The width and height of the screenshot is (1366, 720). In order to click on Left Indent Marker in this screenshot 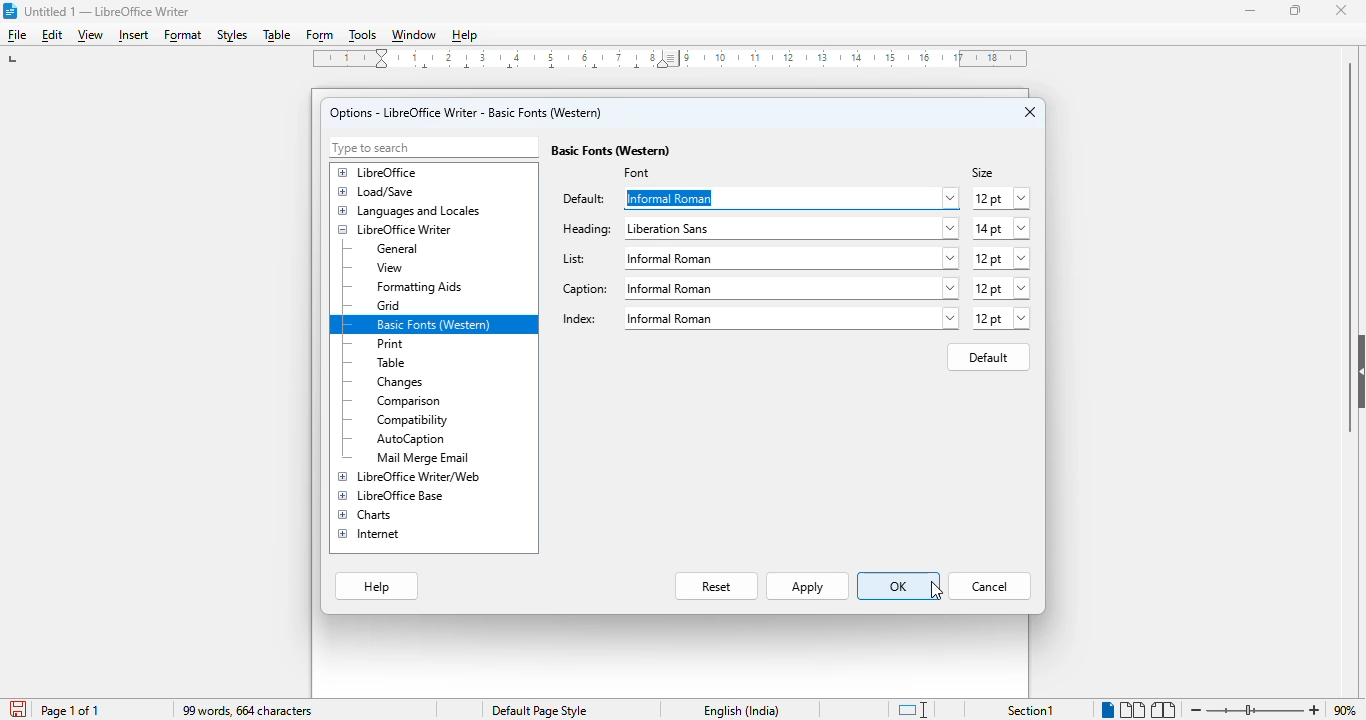, I will do `click(674, 59)`.